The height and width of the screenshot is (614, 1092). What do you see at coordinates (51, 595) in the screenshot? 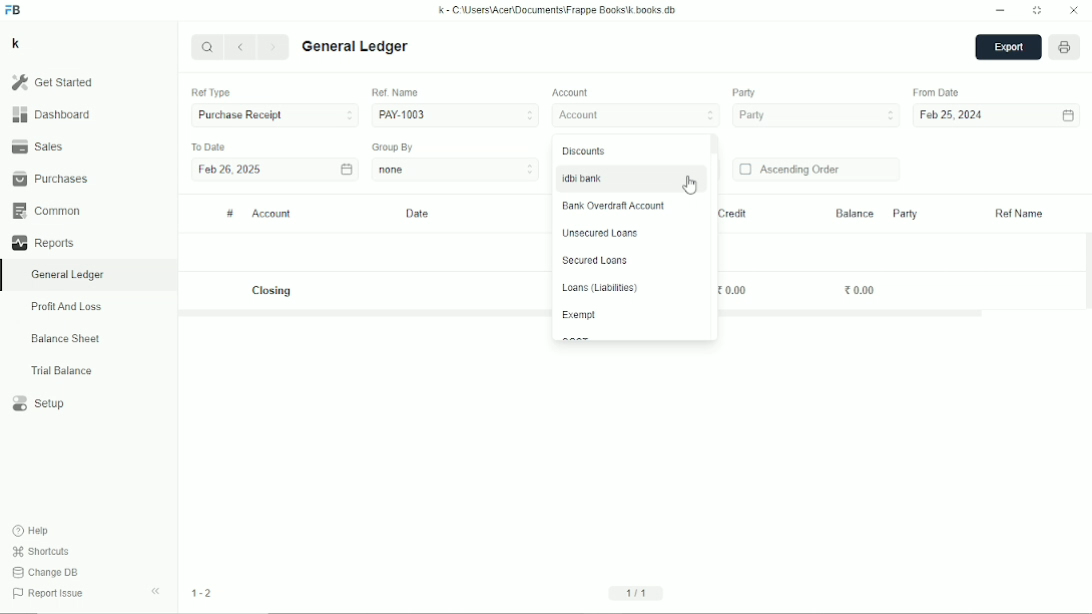
I see `Report issue` at bounding box center [51, 595].